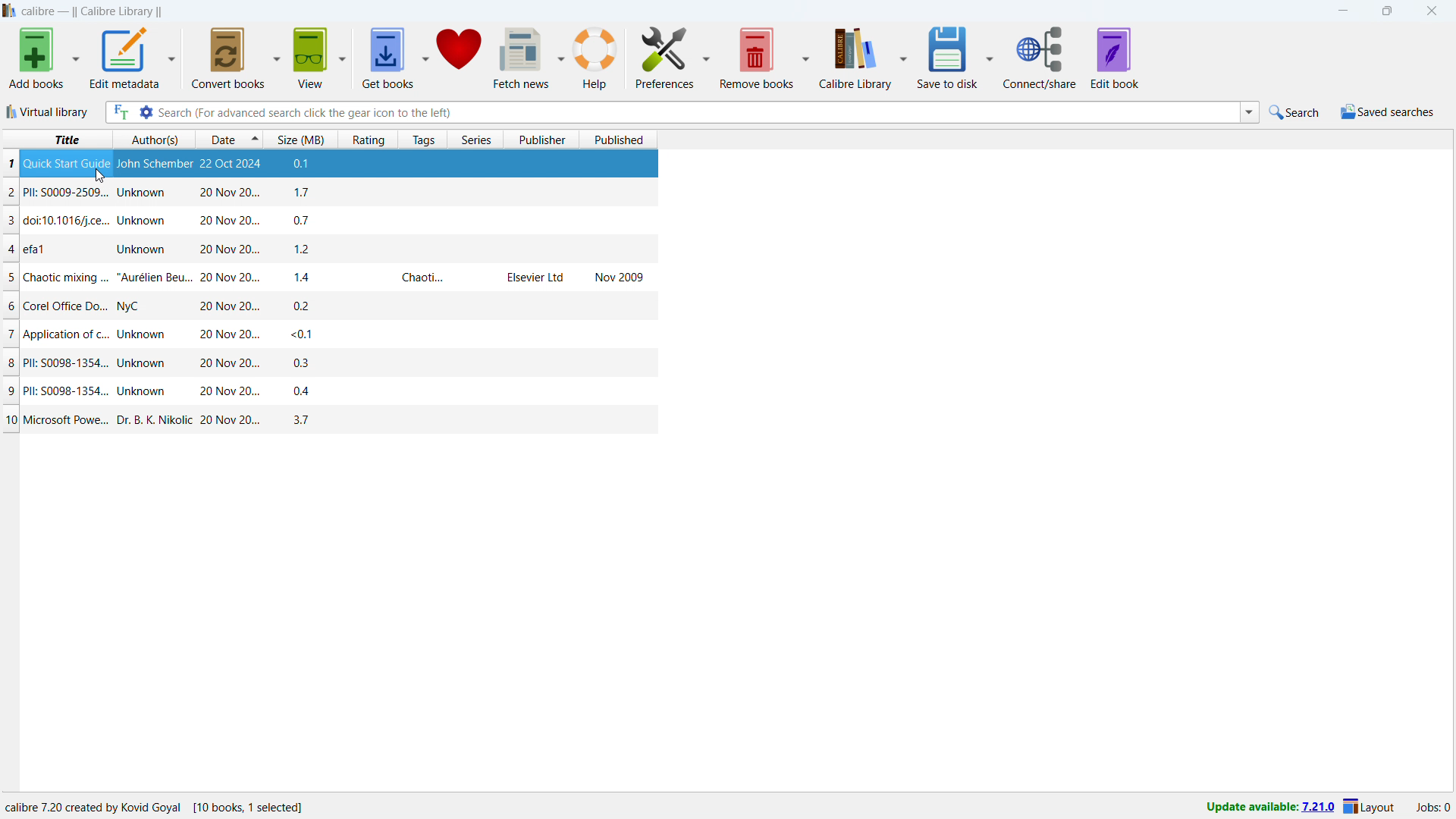 The height and width of the screenshot is (819, 1456). I want to click on software program information, so click(162, 808).